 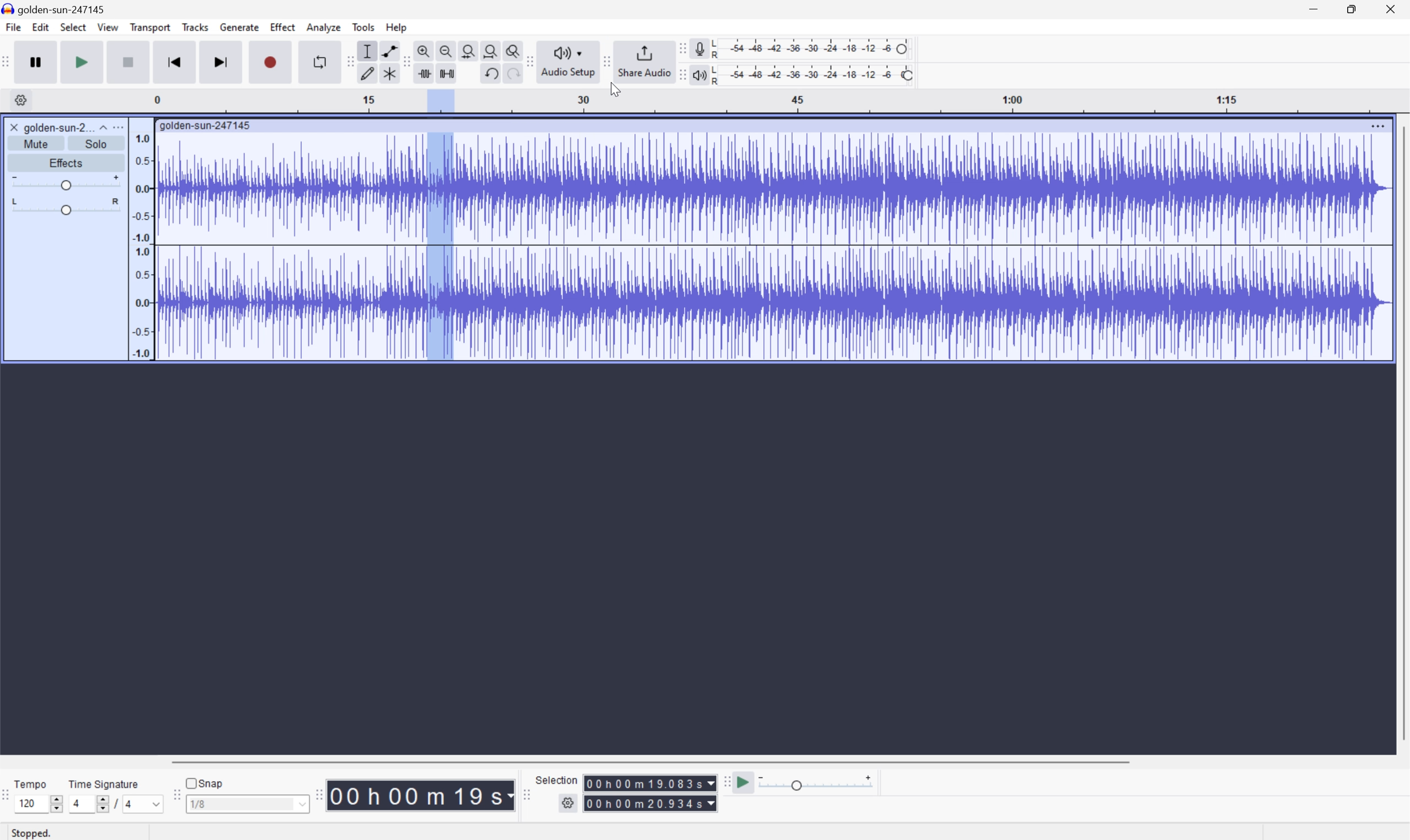 I want to click on Audacity Snapping toolbar, so click(x=174, y=799).